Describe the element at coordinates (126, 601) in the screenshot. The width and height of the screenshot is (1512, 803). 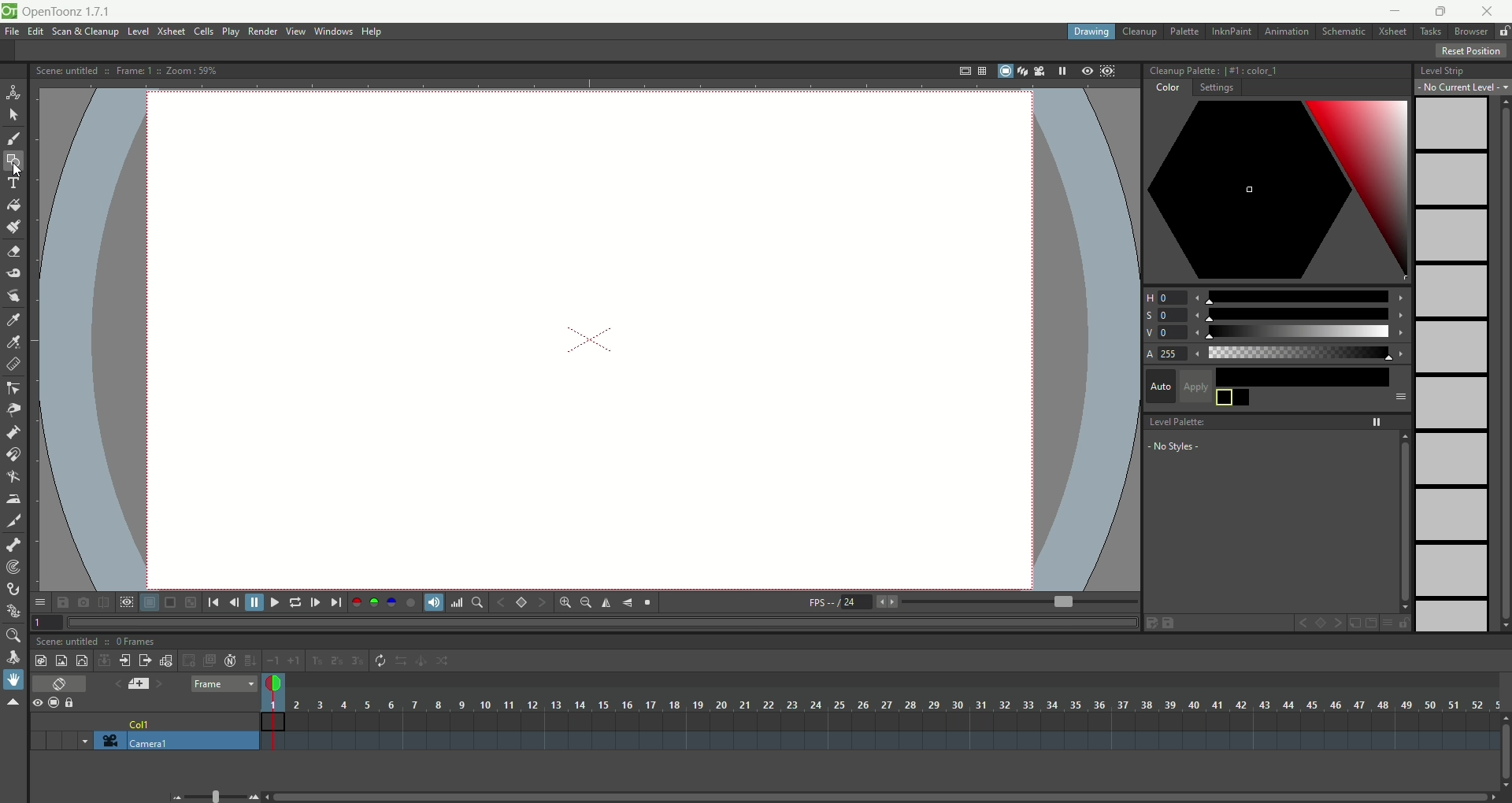
I see `define sub-camera` at that location.